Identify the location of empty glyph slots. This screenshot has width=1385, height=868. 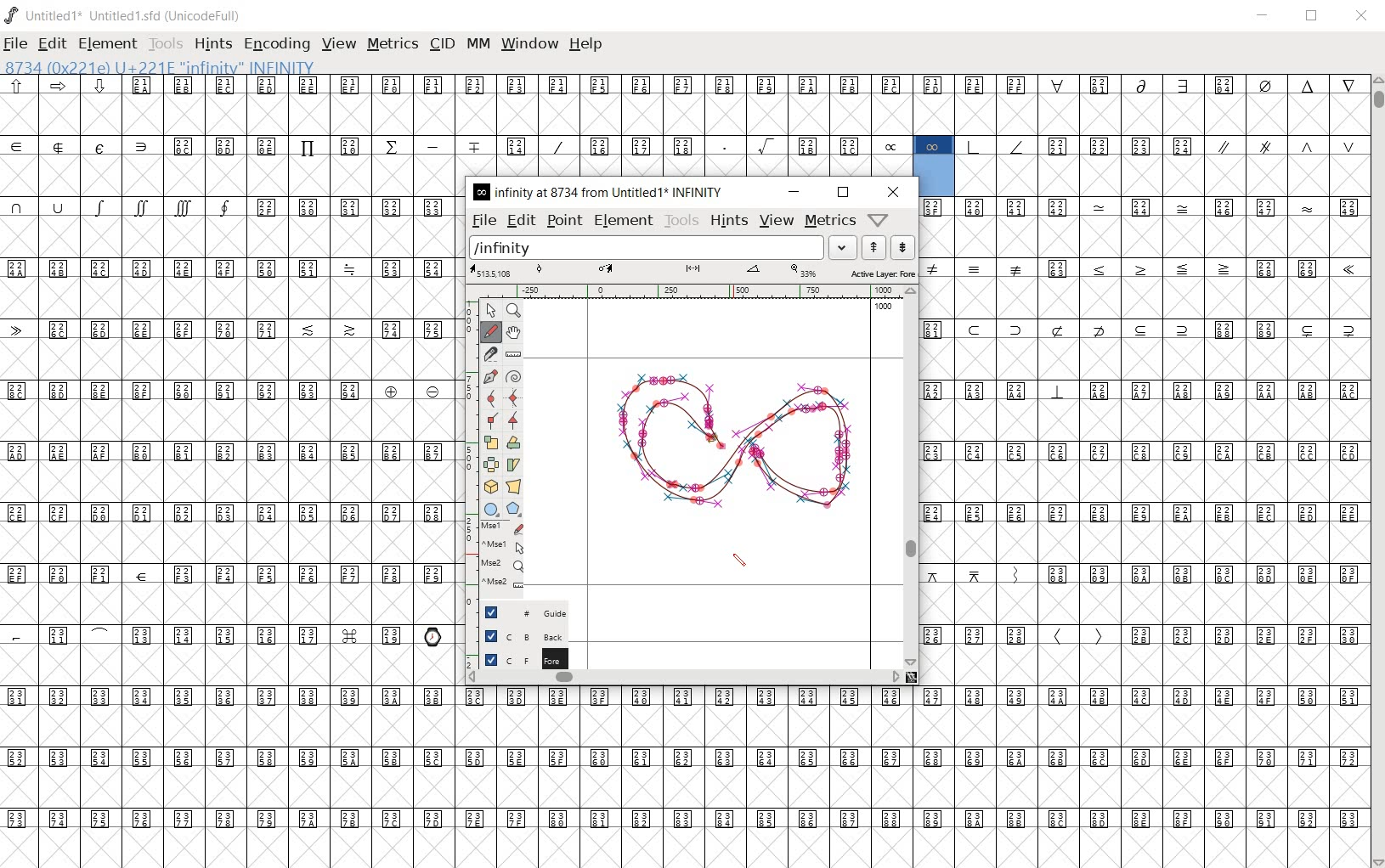
(1144, 667).